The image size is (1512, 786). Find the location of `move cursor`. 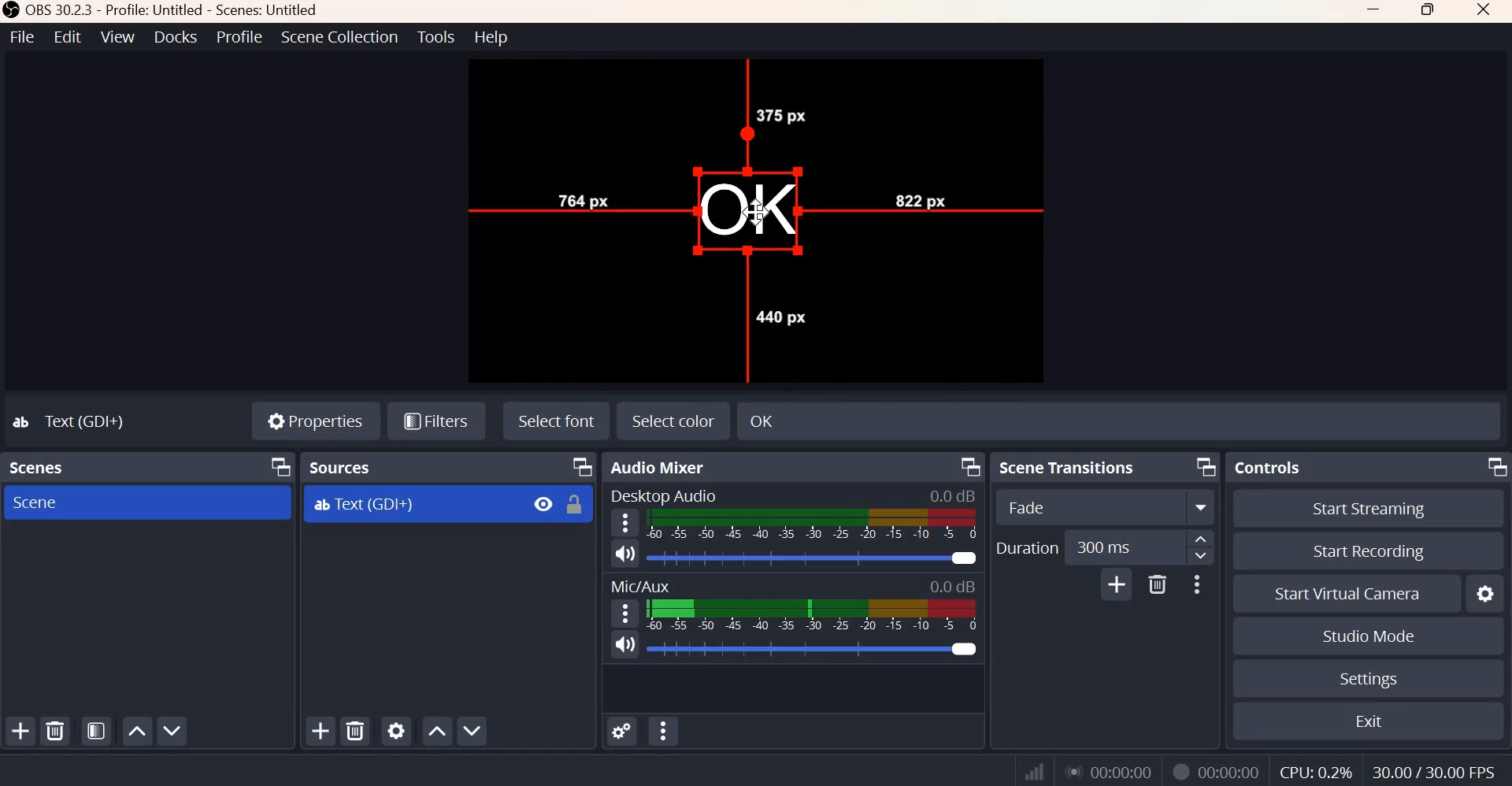

move cursor is located at coordinates (754, 213).